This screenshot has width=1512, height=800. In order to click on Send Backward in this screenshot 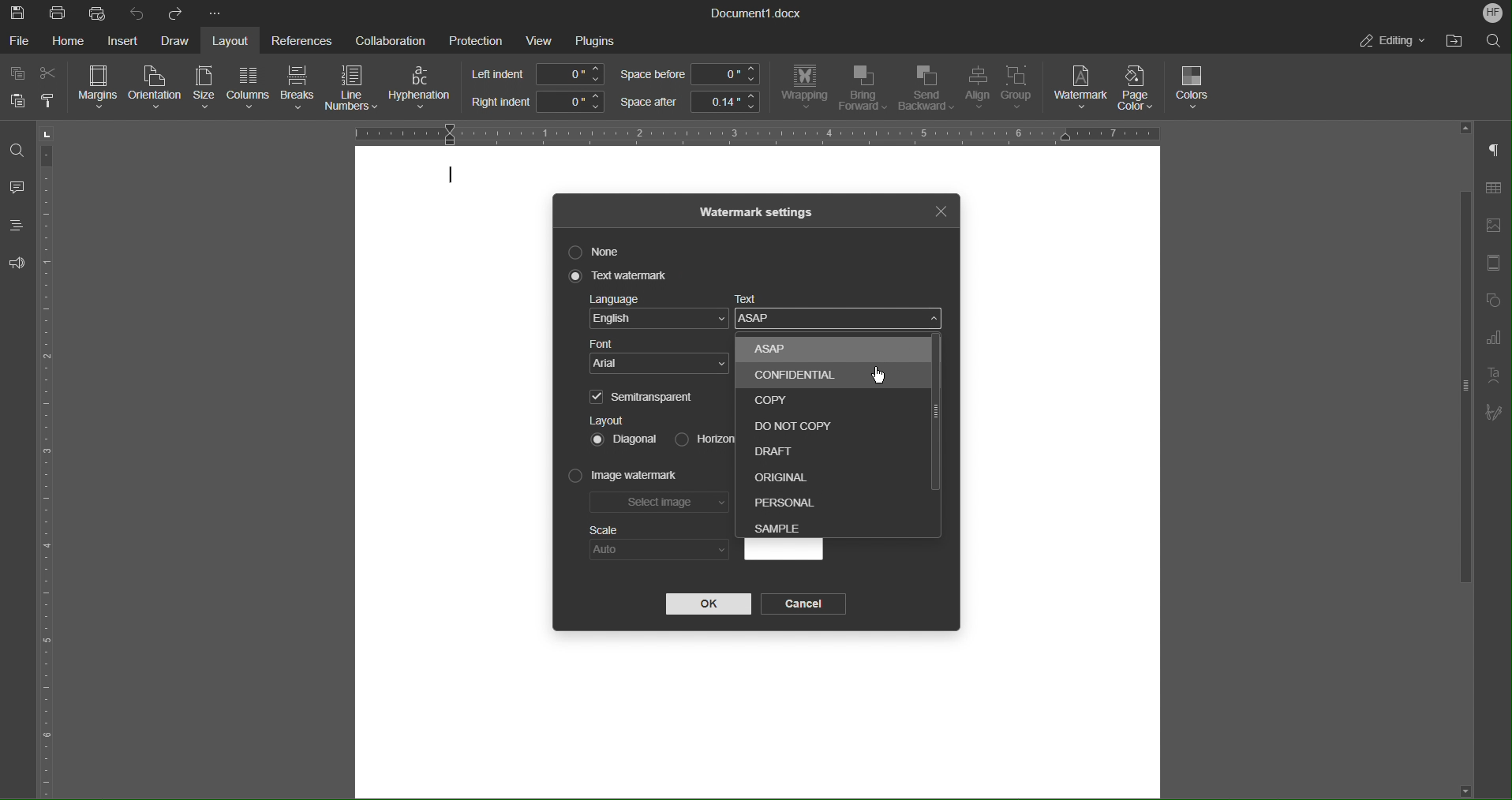, I will do `click(926, 89)`.